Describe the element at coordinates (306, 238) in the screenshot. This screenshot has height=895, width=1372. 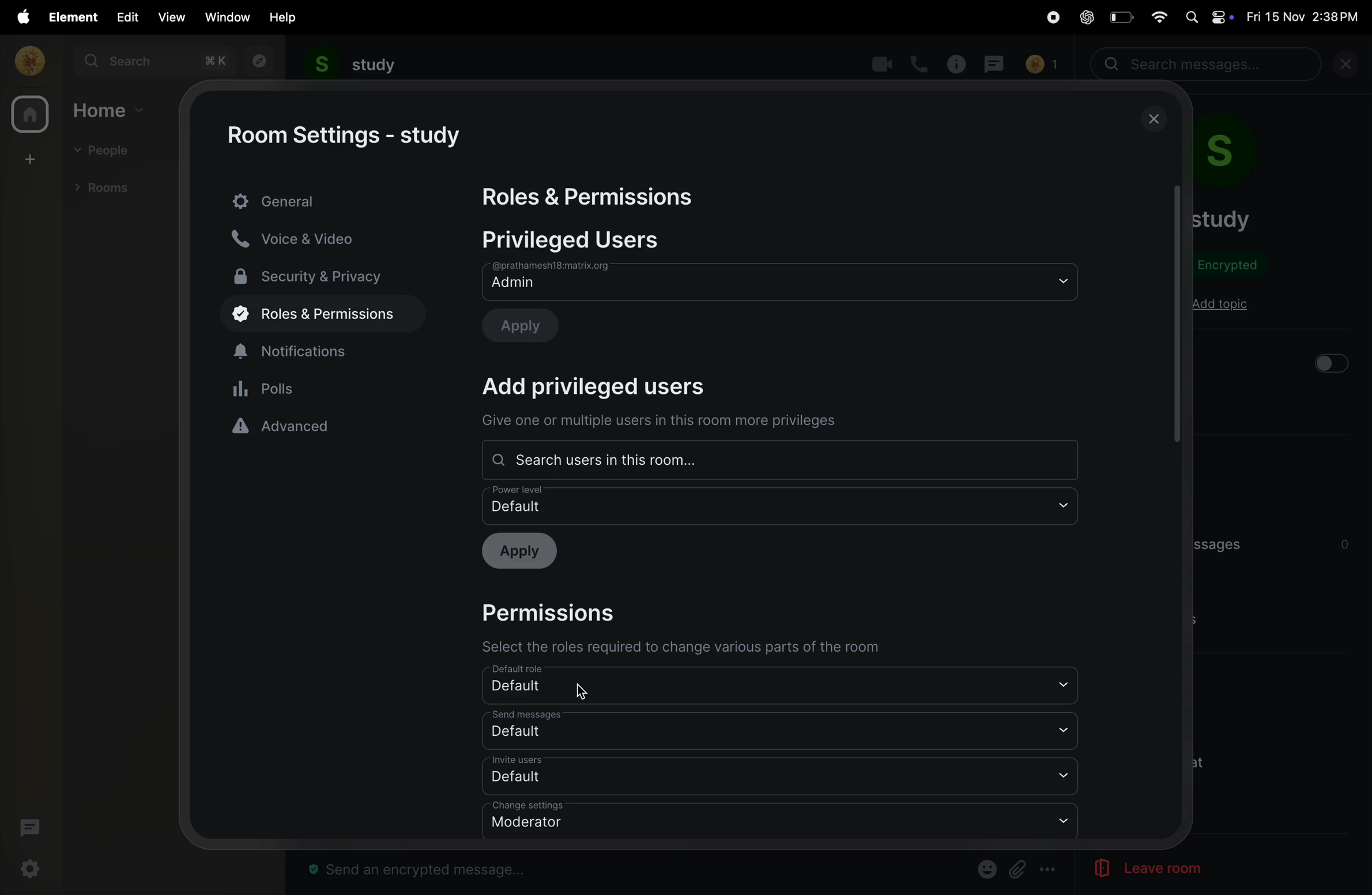
I see `voice and video` at that location.